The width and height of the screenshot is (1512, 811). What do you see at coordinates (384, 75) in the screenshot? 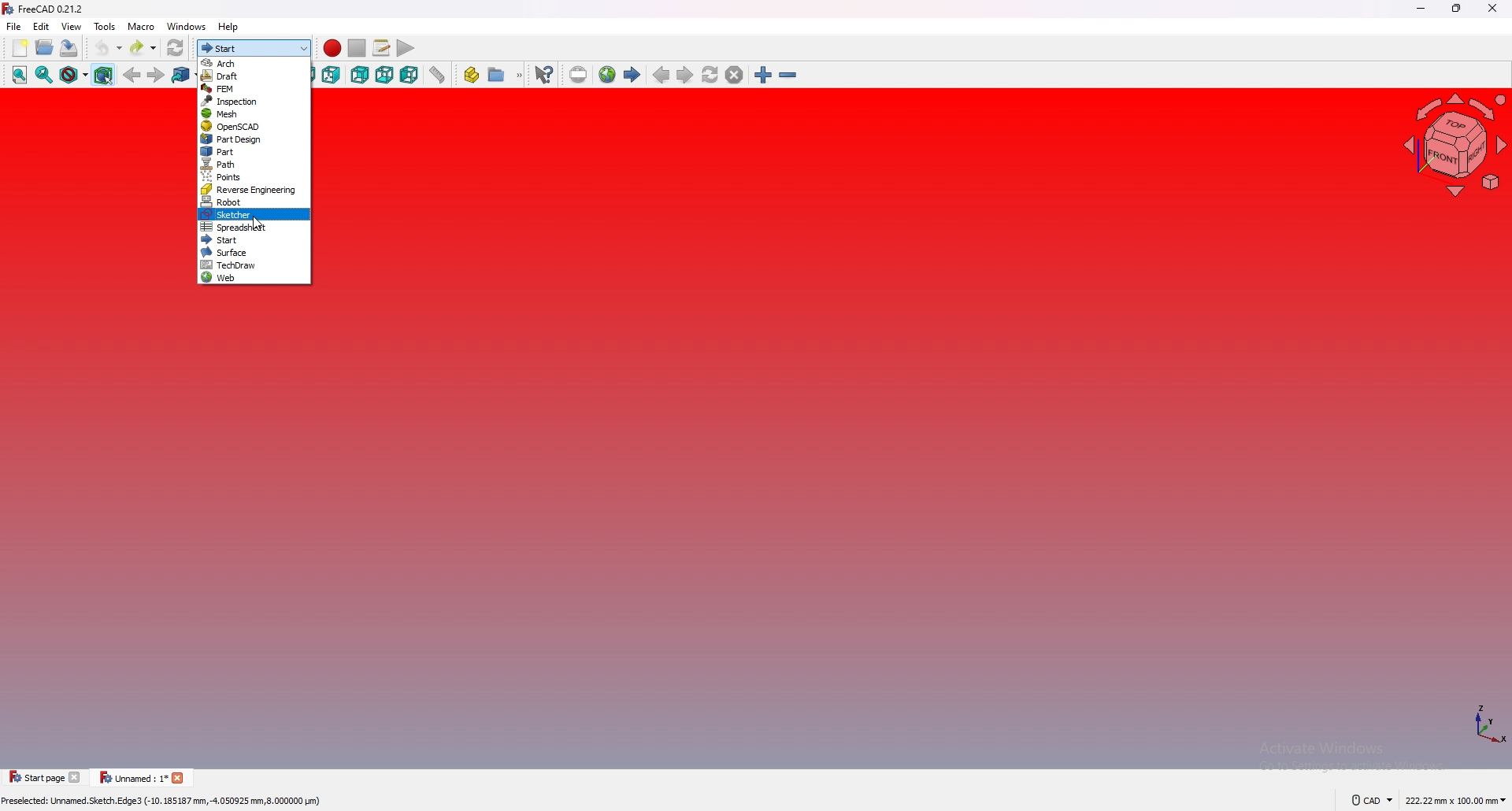
I see `bottom` at bounding box center [384, 75].